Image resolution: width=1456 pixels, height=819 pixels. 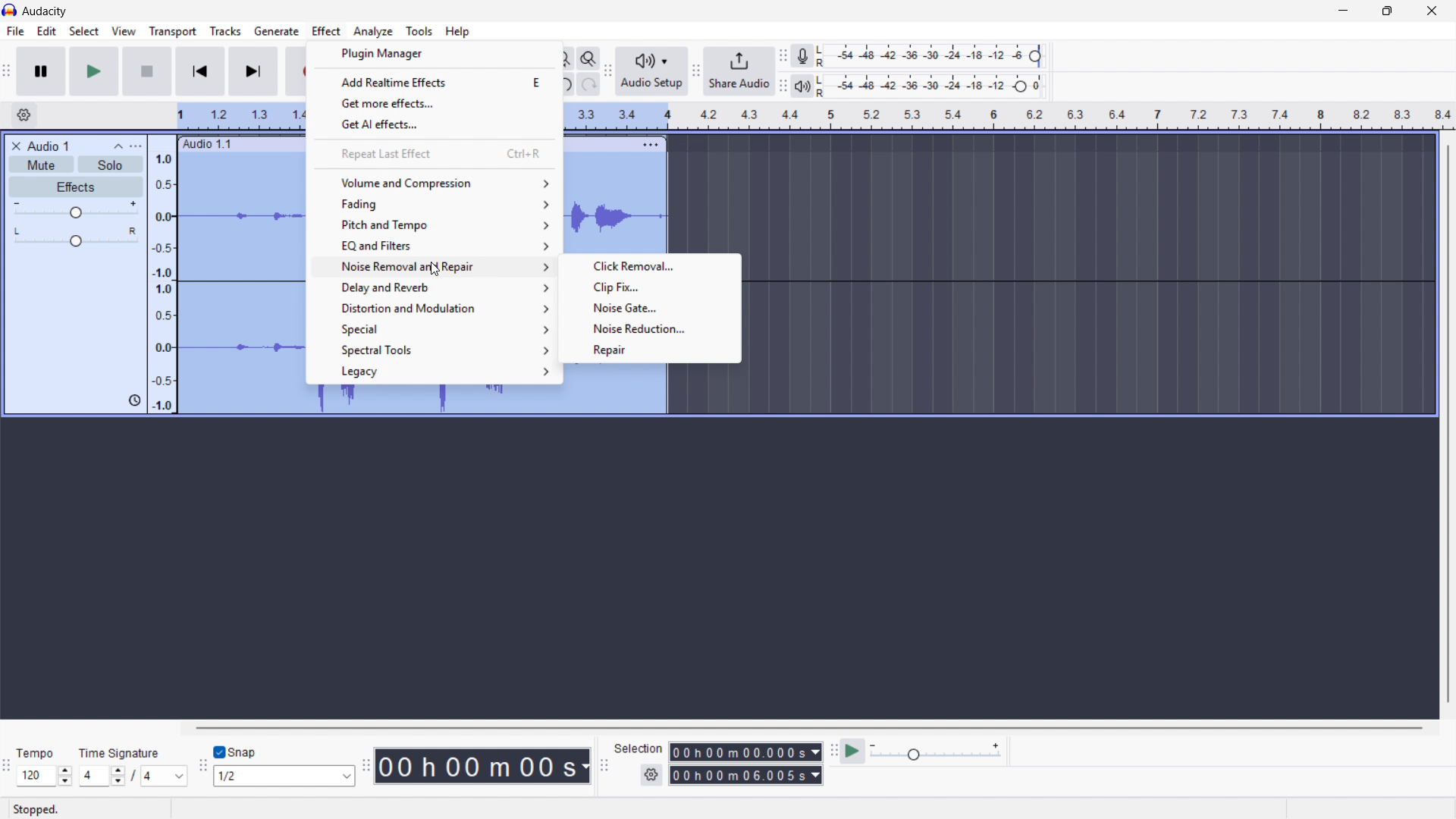 What do you see at coordinates (77, 212) in the screenshot?
I see `gain` at bounding box center [77, 212].